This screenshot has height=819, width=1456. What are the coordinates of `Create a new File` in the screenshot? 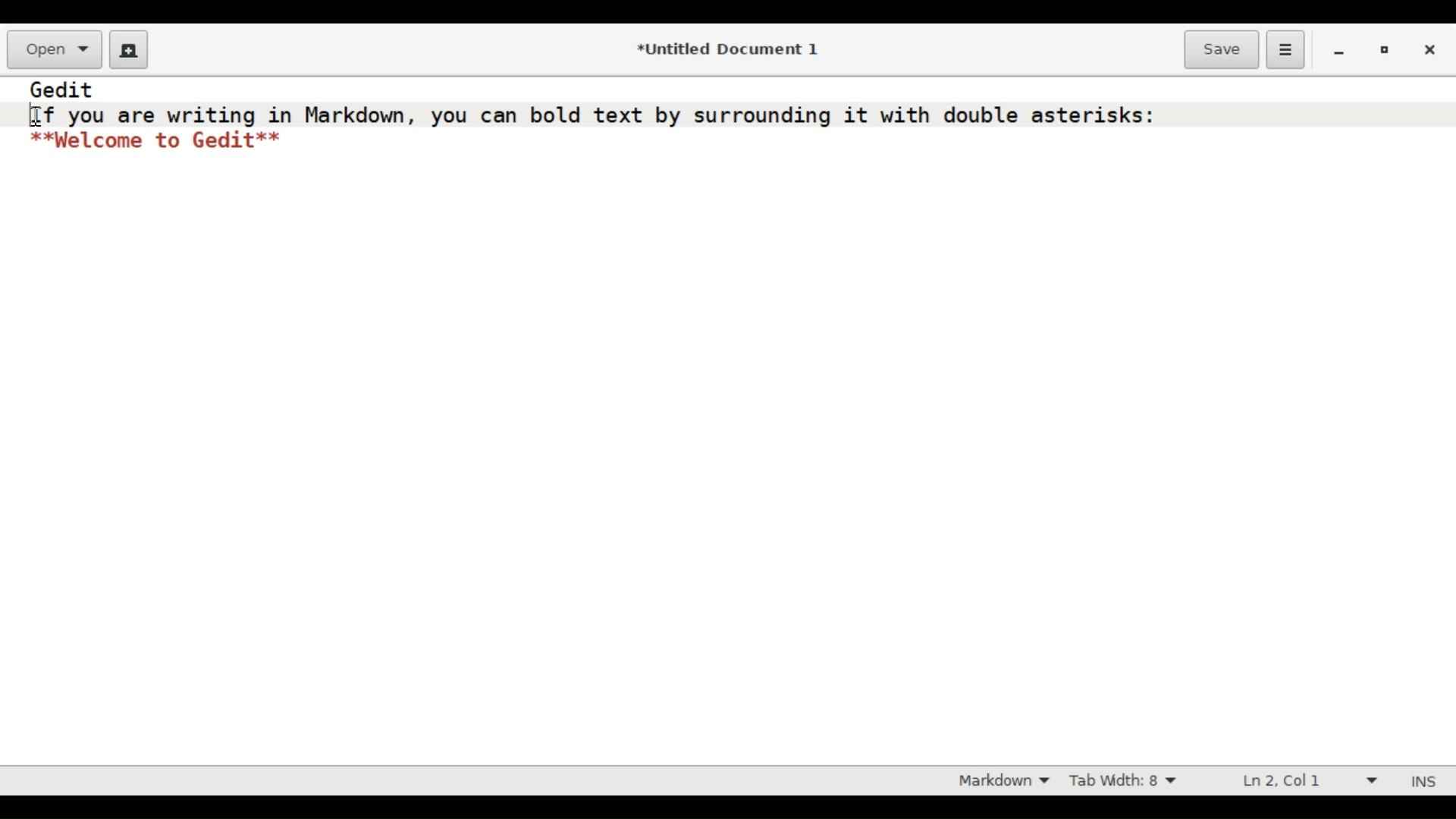 It's located at (126, 49).